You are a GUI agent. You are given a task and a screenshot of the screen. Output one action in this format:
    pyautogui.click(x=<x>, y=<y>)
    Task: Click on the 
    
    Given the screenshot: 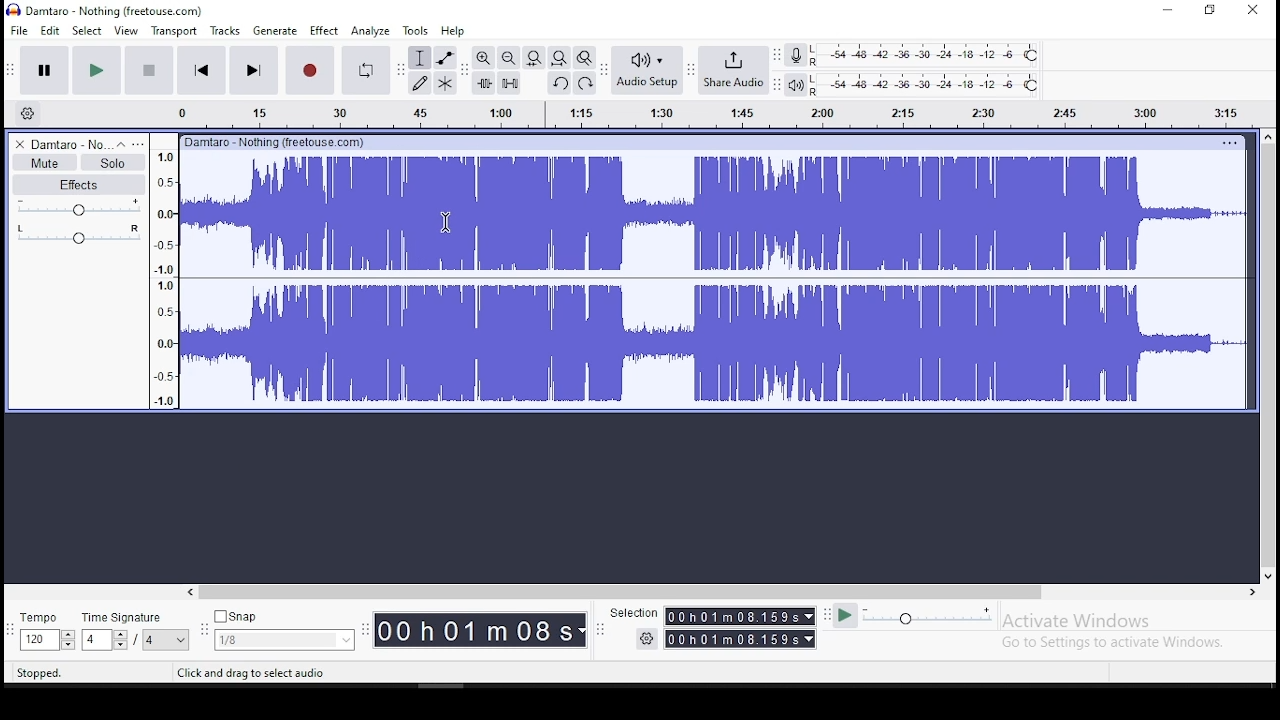 What is the action you would take?
    pyautogui.click(x=690, y=70)
    